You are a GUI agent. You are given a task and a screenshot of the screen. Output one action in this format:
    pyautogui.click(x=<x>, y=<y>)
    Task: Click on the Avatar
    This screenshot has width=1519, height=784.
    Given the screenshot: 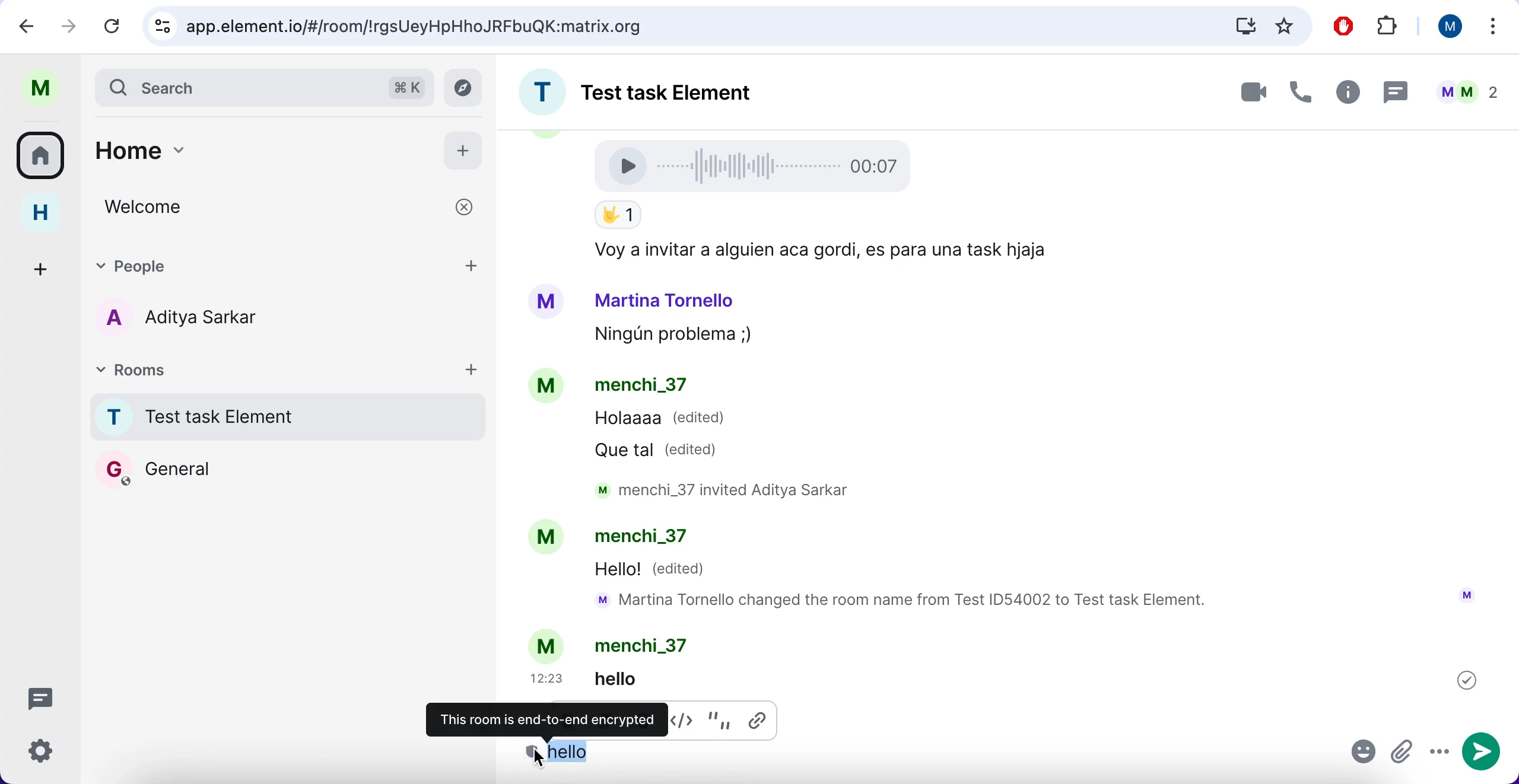 What is the action you would take?
    pyautogui.click(x=546, y=302)
    